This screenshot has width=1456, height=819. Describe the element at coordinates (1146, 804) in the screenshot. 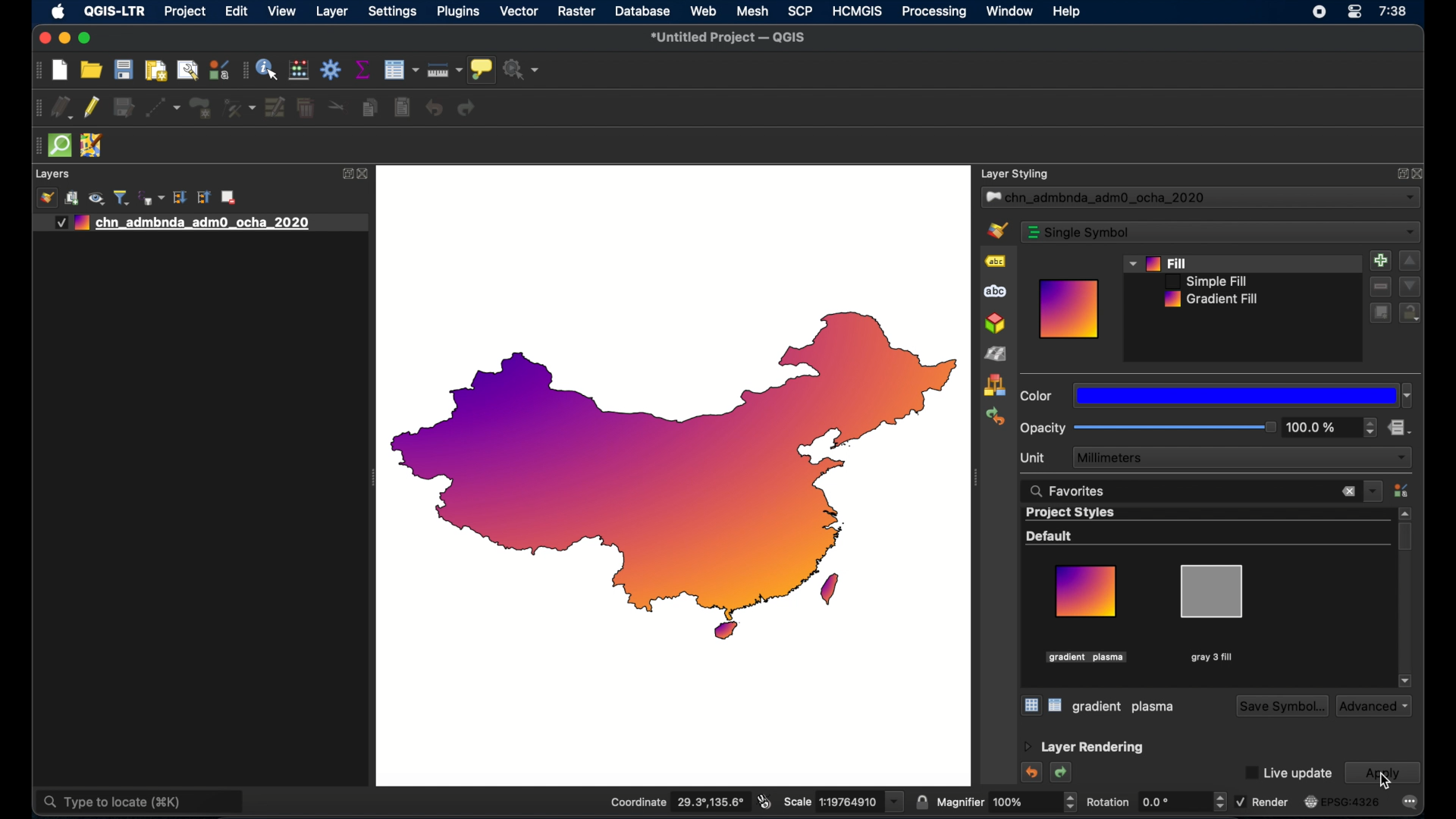

I see `rotation` at that location.